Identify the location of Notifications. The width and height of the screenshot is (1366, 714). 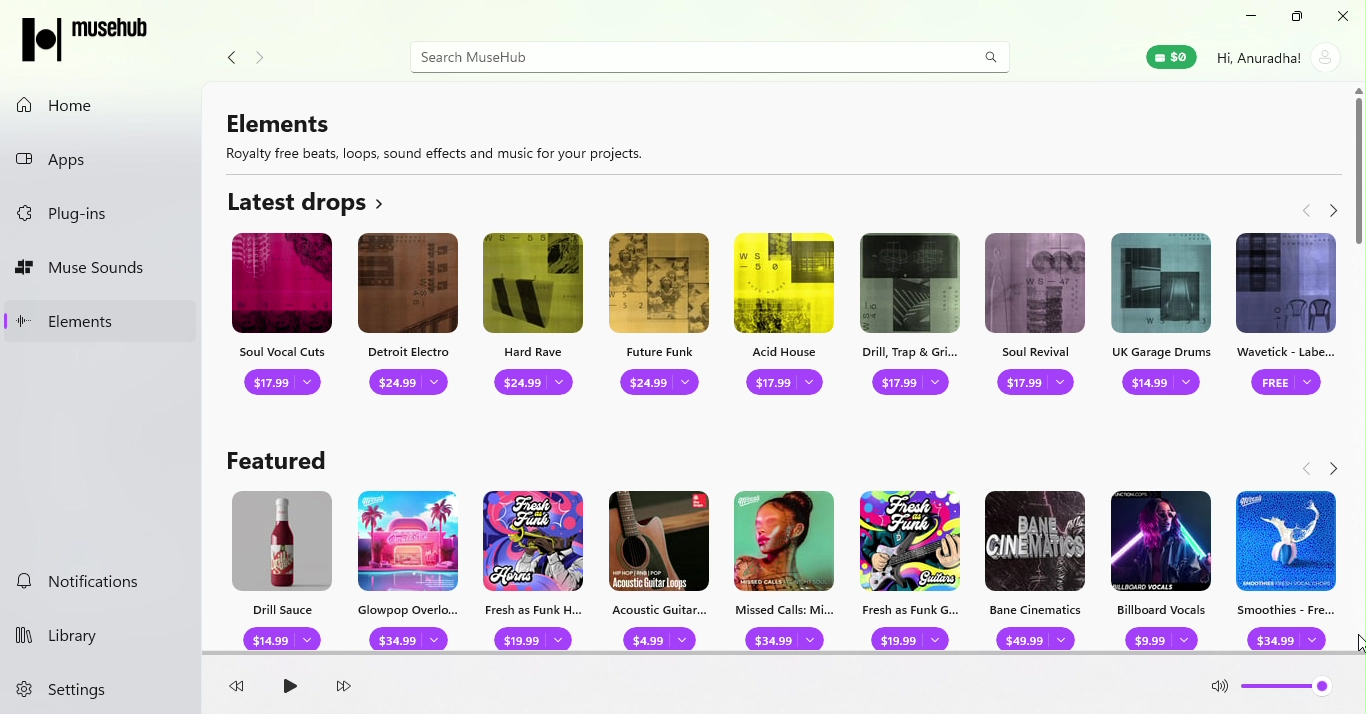
(95, 584).